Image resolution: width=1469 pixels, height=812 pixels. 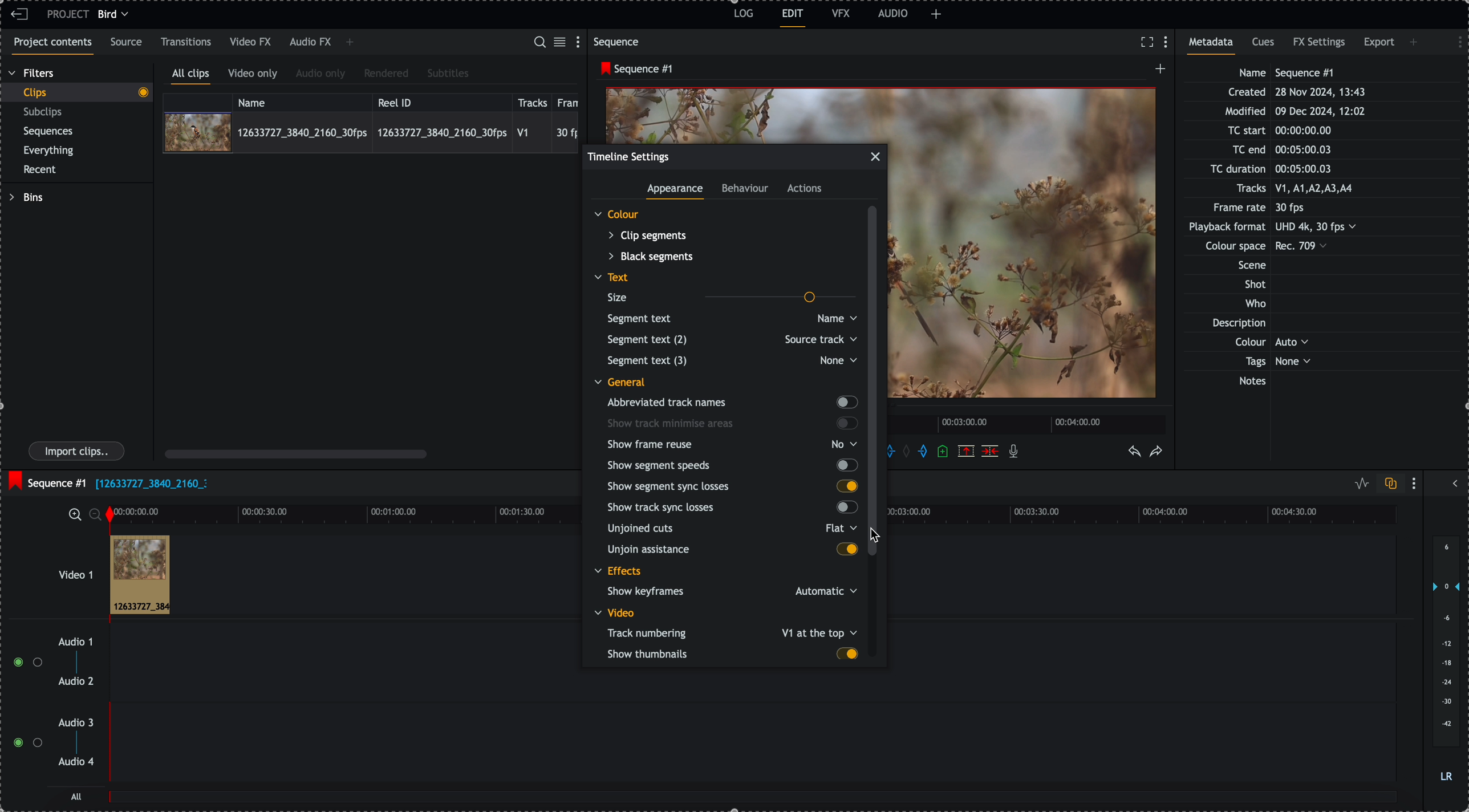 I want to click on add panel, so click(x=1415, y=42).